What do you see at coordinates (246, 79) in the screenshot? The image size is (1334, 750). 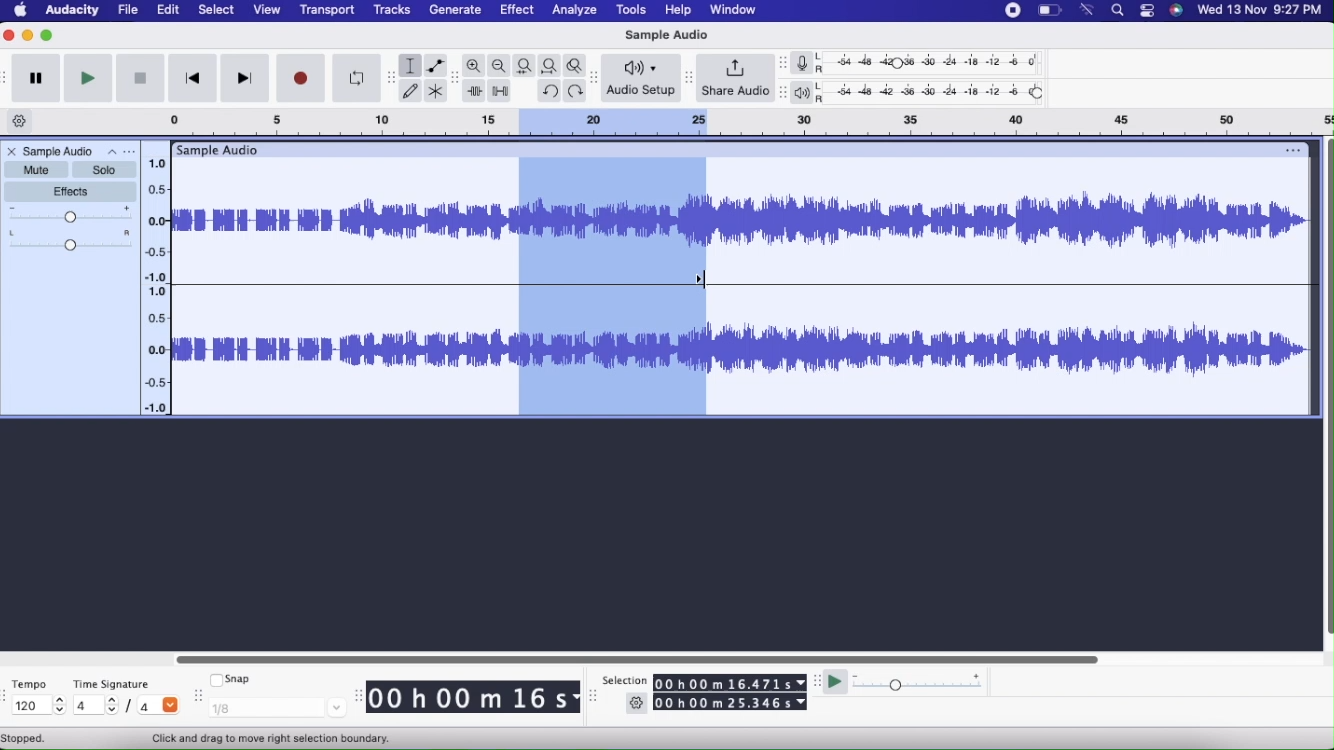 I see `Skip to End` at bounding box center [246, 79].